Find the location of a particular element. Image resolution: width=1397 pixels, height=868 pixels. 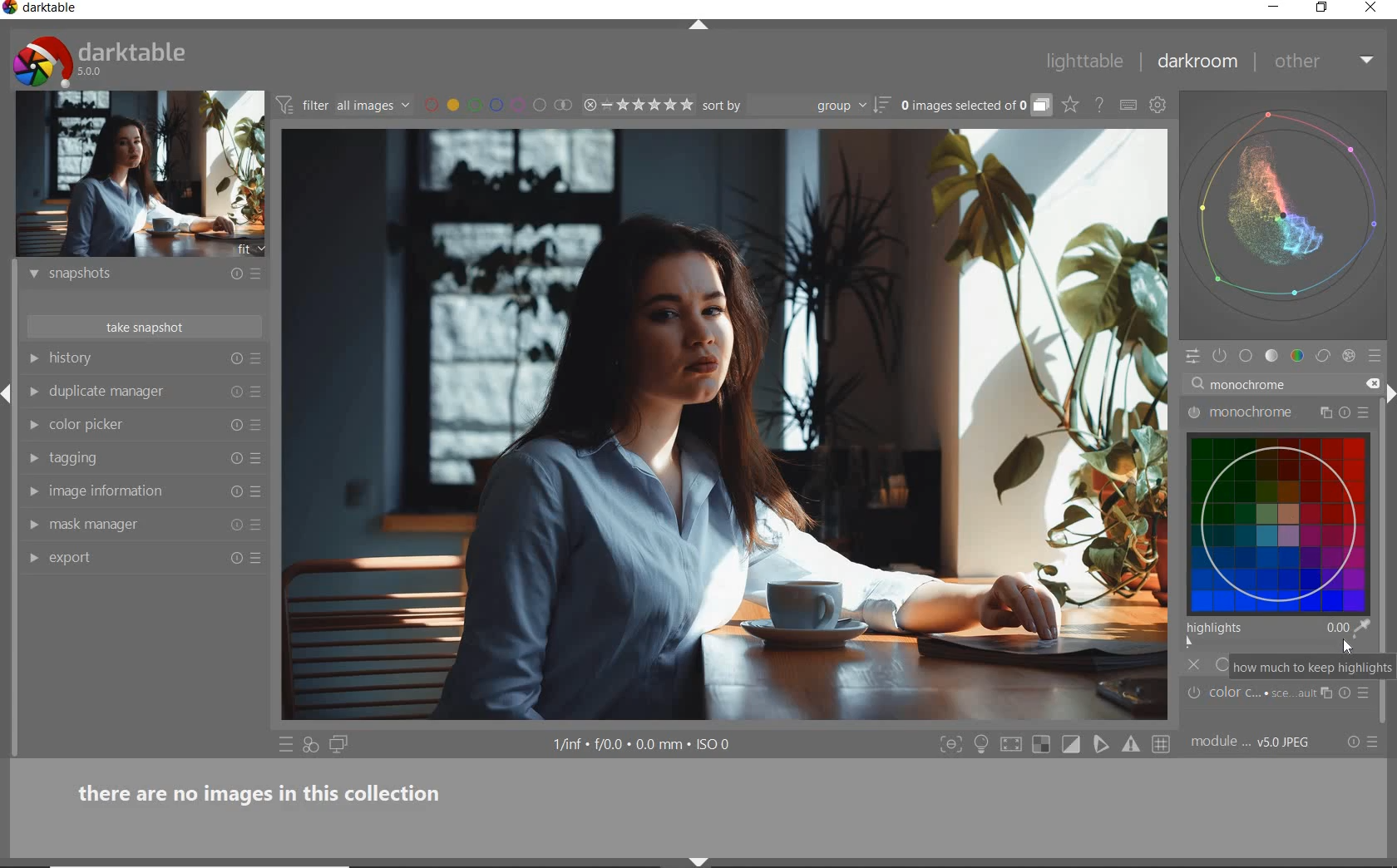

preset and preferences is located at coordinates (260, 426).